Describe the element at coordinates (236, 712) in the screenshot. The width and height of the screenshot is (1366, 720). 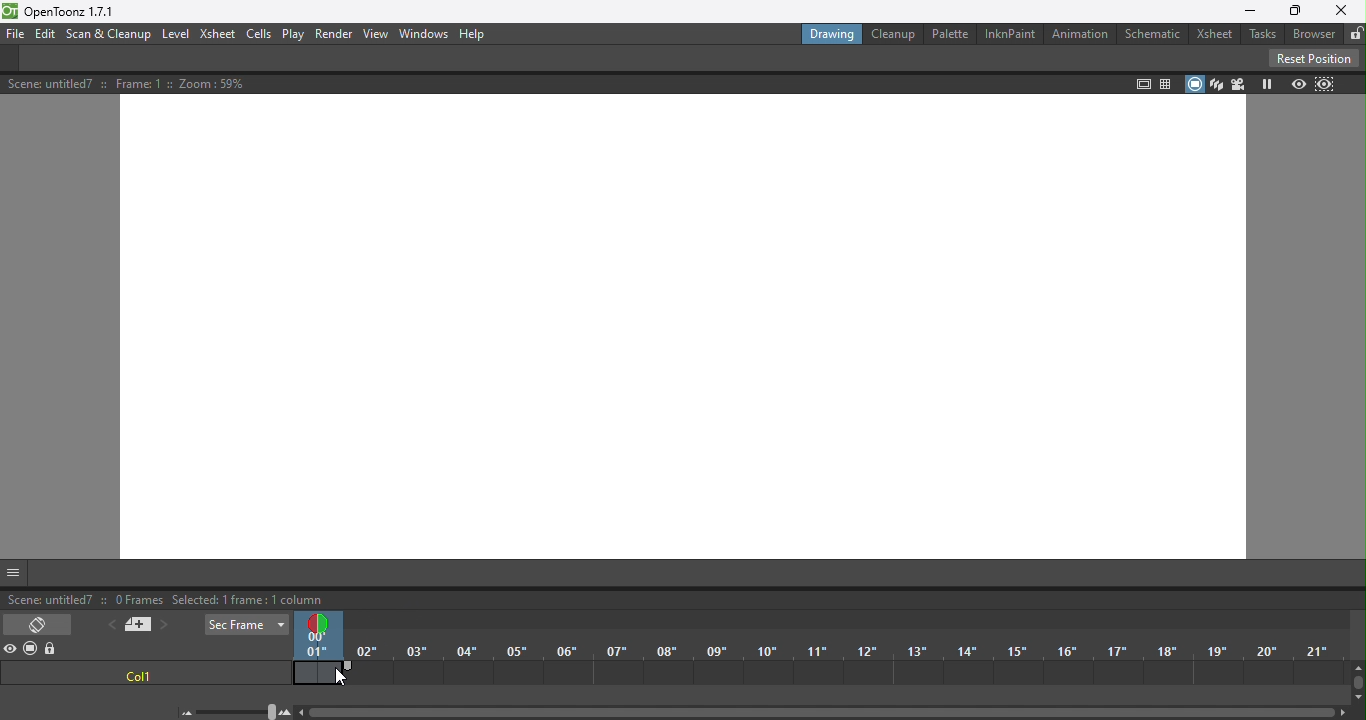
I see `Zoom in/out of timeline` at that location.